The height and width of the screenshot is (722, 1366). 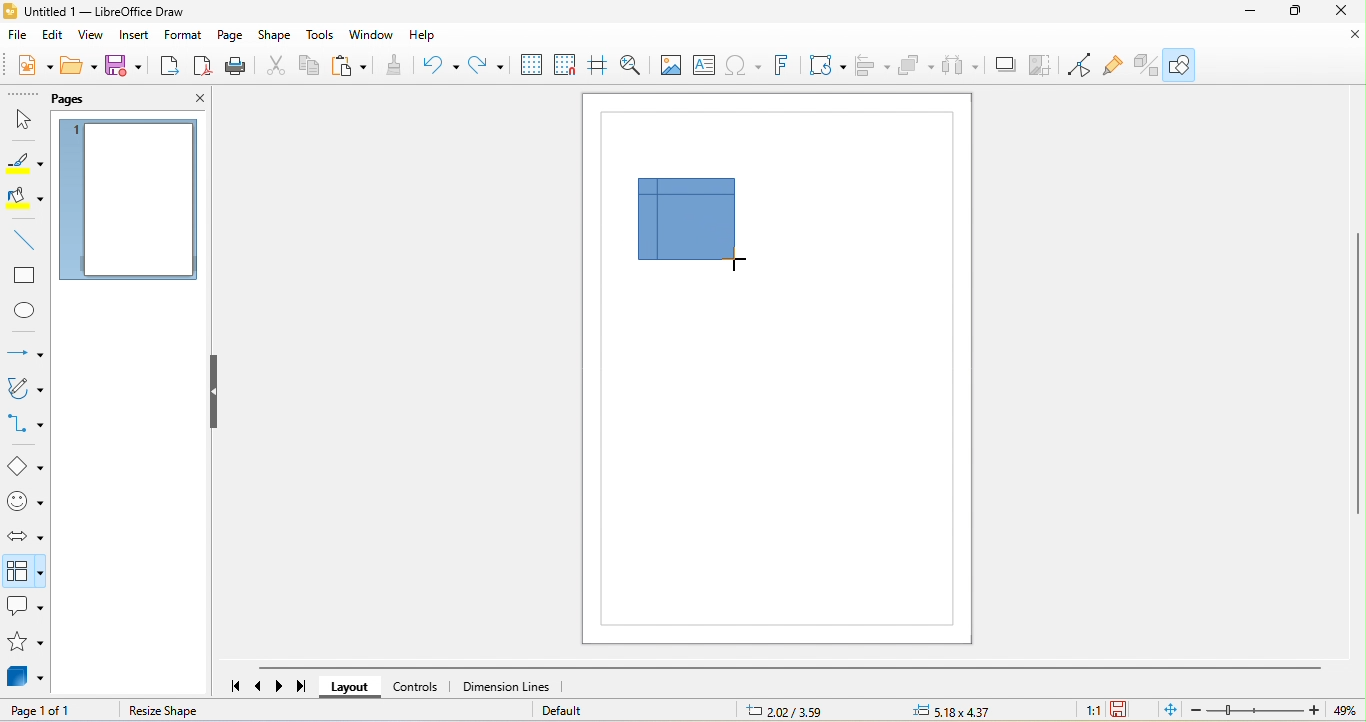 I want to click on symbol shape, so click(x=25, y=504).